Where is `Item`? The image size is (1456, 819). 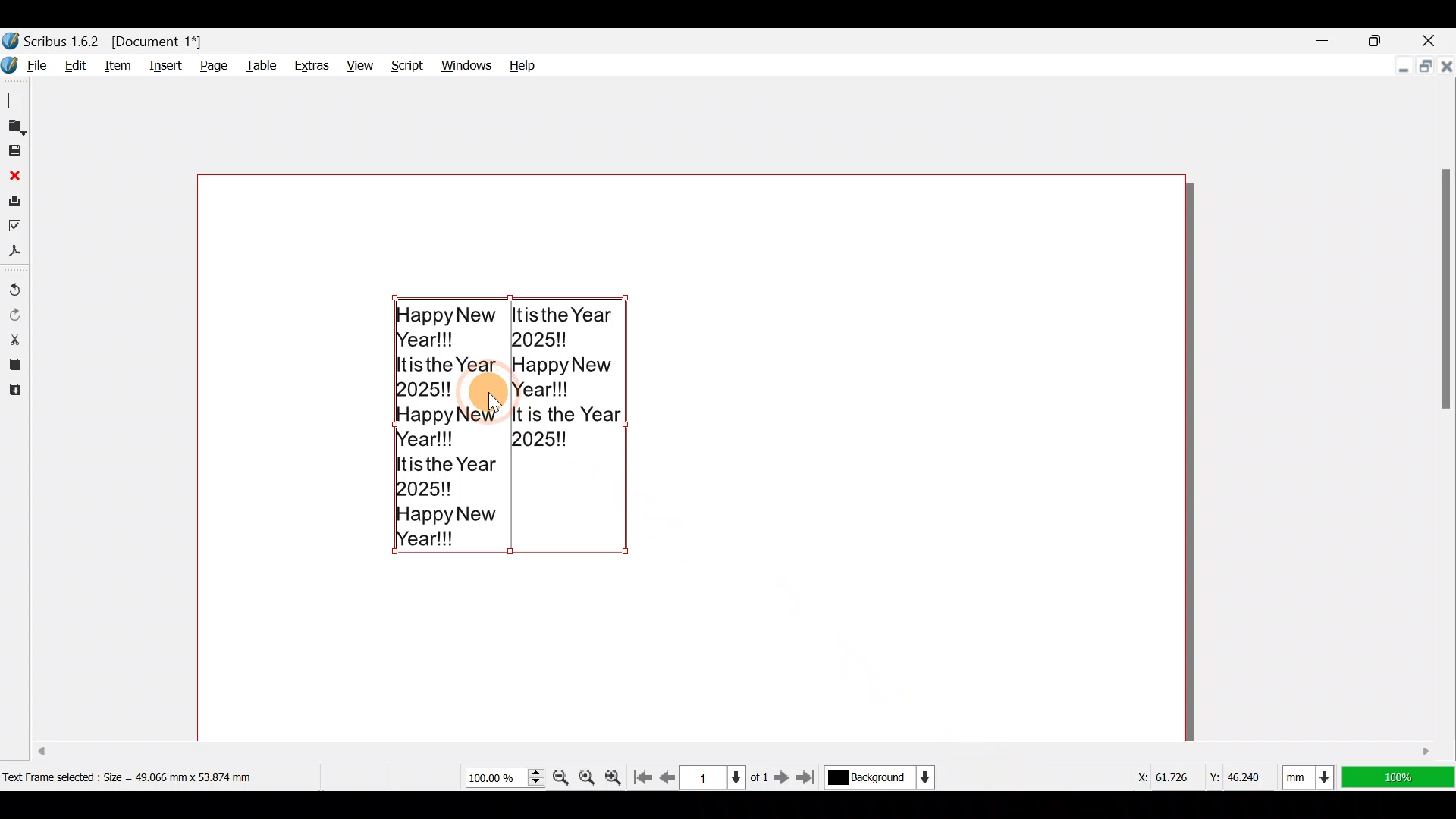 Item is located at coordinates (118, 65).